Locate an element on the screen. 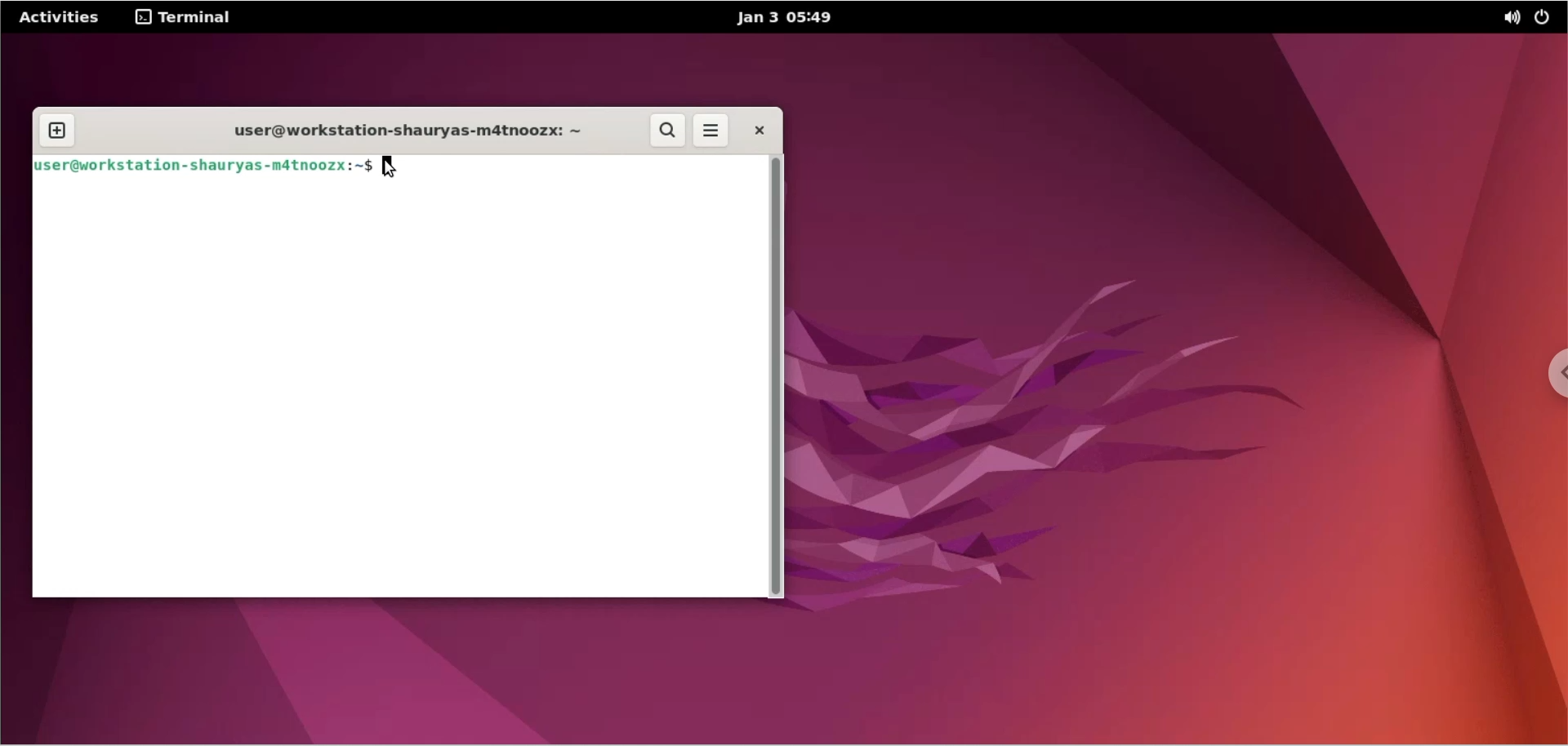 This screenshot has width=1568, height=746. chrome options is located at coordinates (1552, 377).